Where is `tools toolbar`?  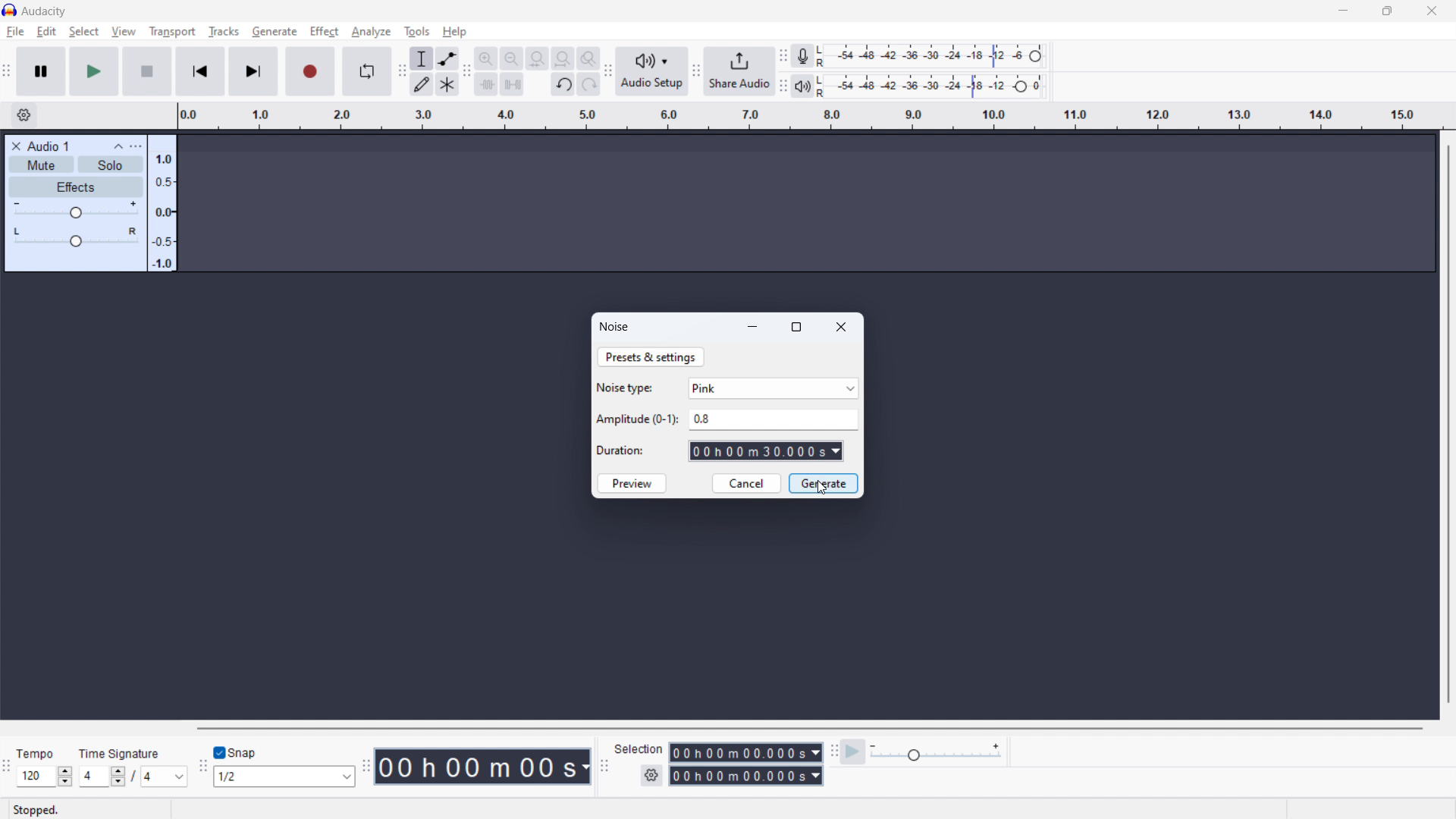 tools toolbar is located at coordinates (401, 71).